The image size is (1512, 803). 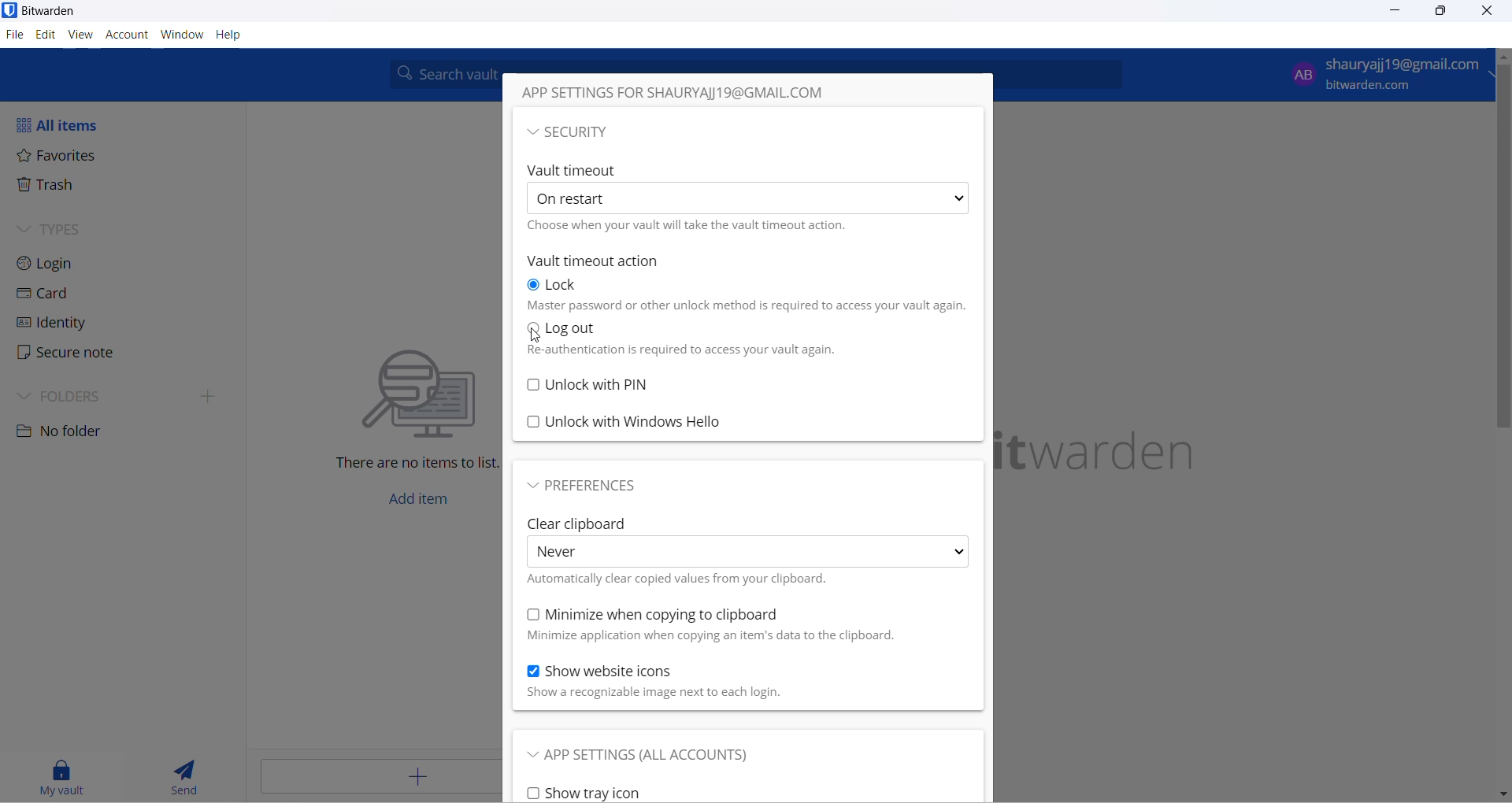 I want to click on clear clipboard options, so click(x=748, y=552).